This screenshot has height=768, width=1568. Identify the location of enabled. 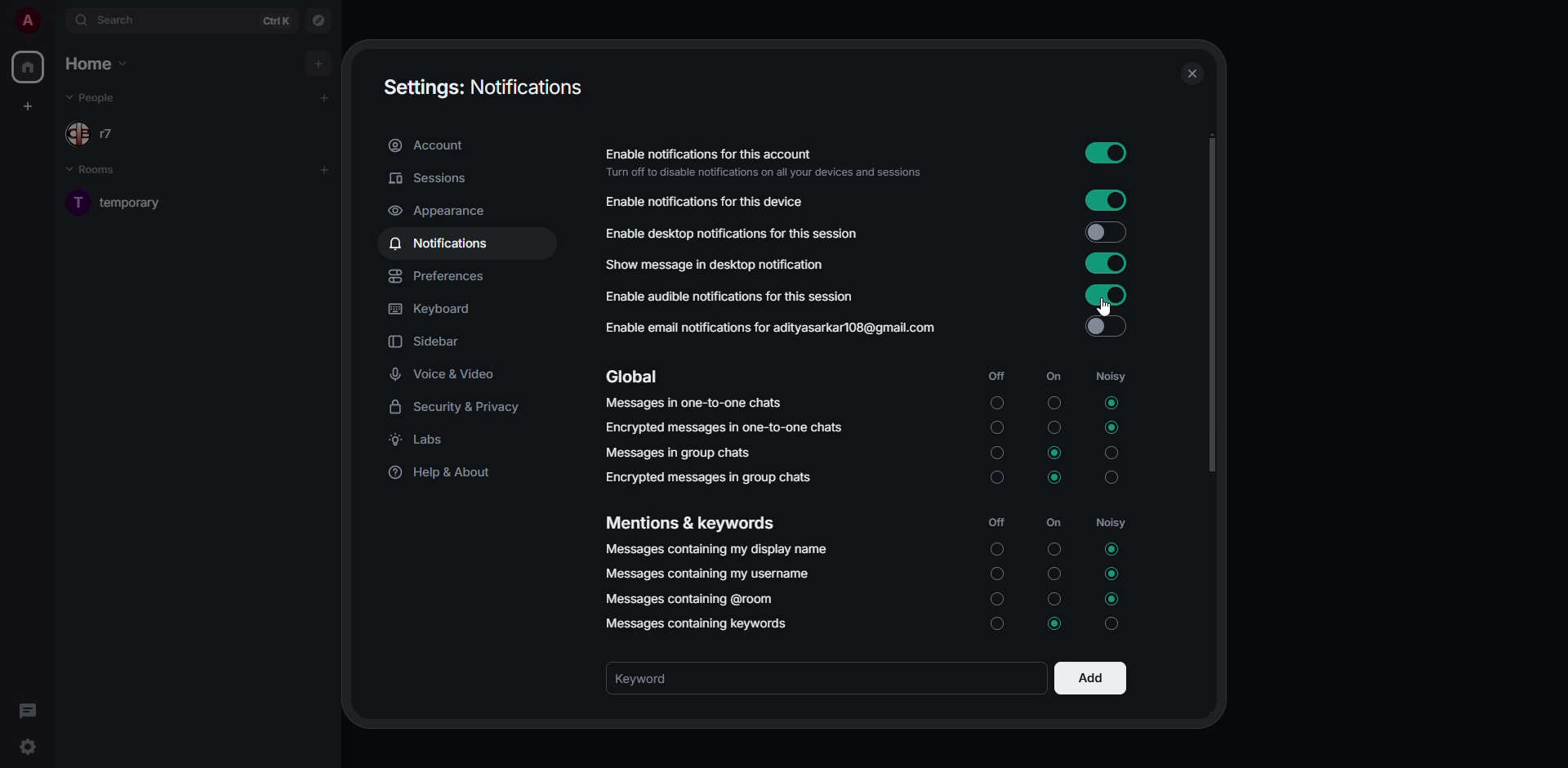
(1104, 154).